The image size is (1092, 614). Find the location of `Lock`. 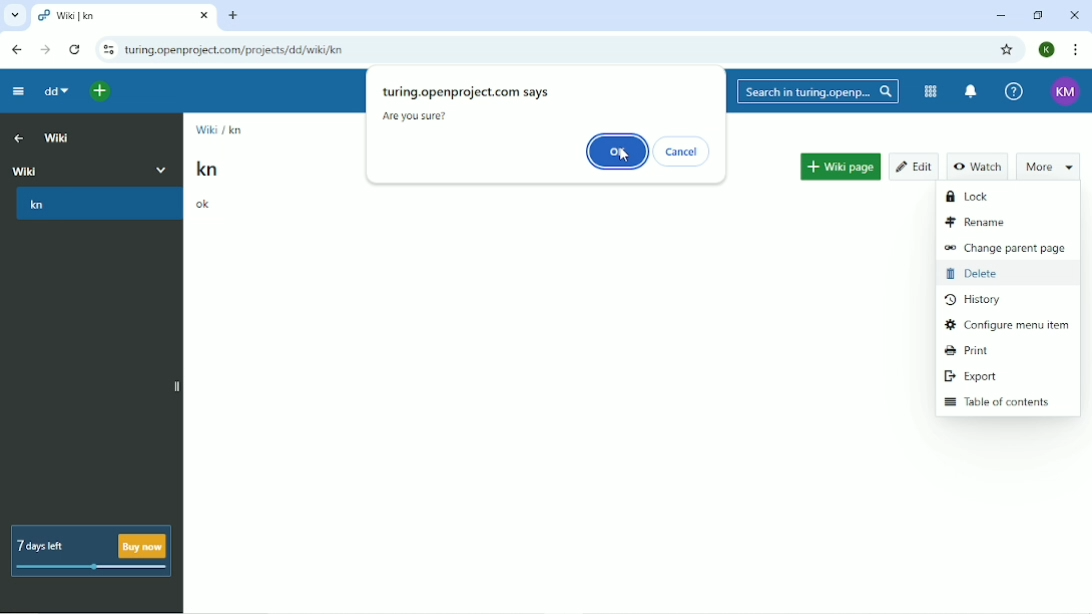

Lock is located at coordinates (972, 196).